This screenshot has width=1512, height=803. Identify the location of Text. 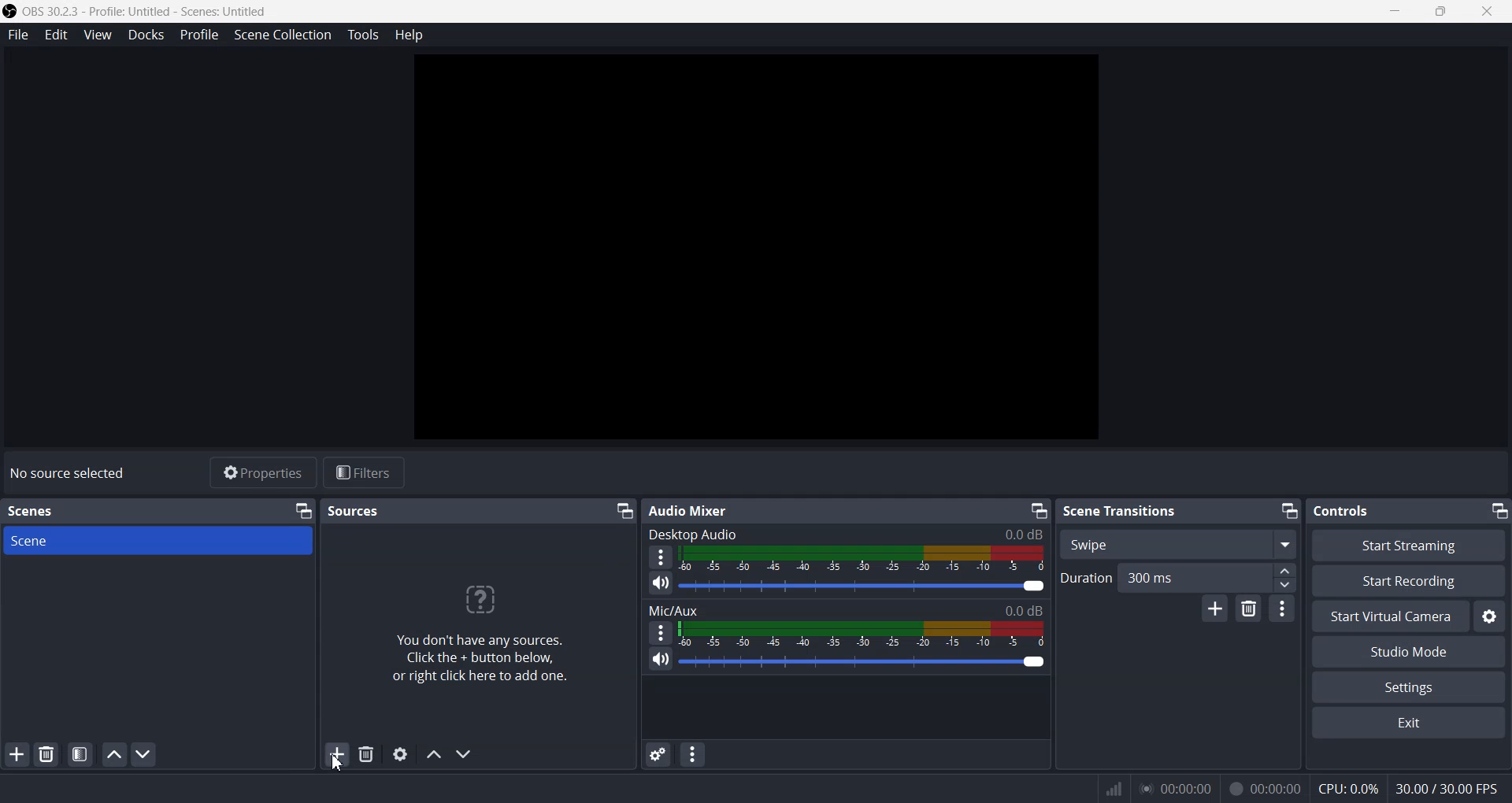
(1340, 510).